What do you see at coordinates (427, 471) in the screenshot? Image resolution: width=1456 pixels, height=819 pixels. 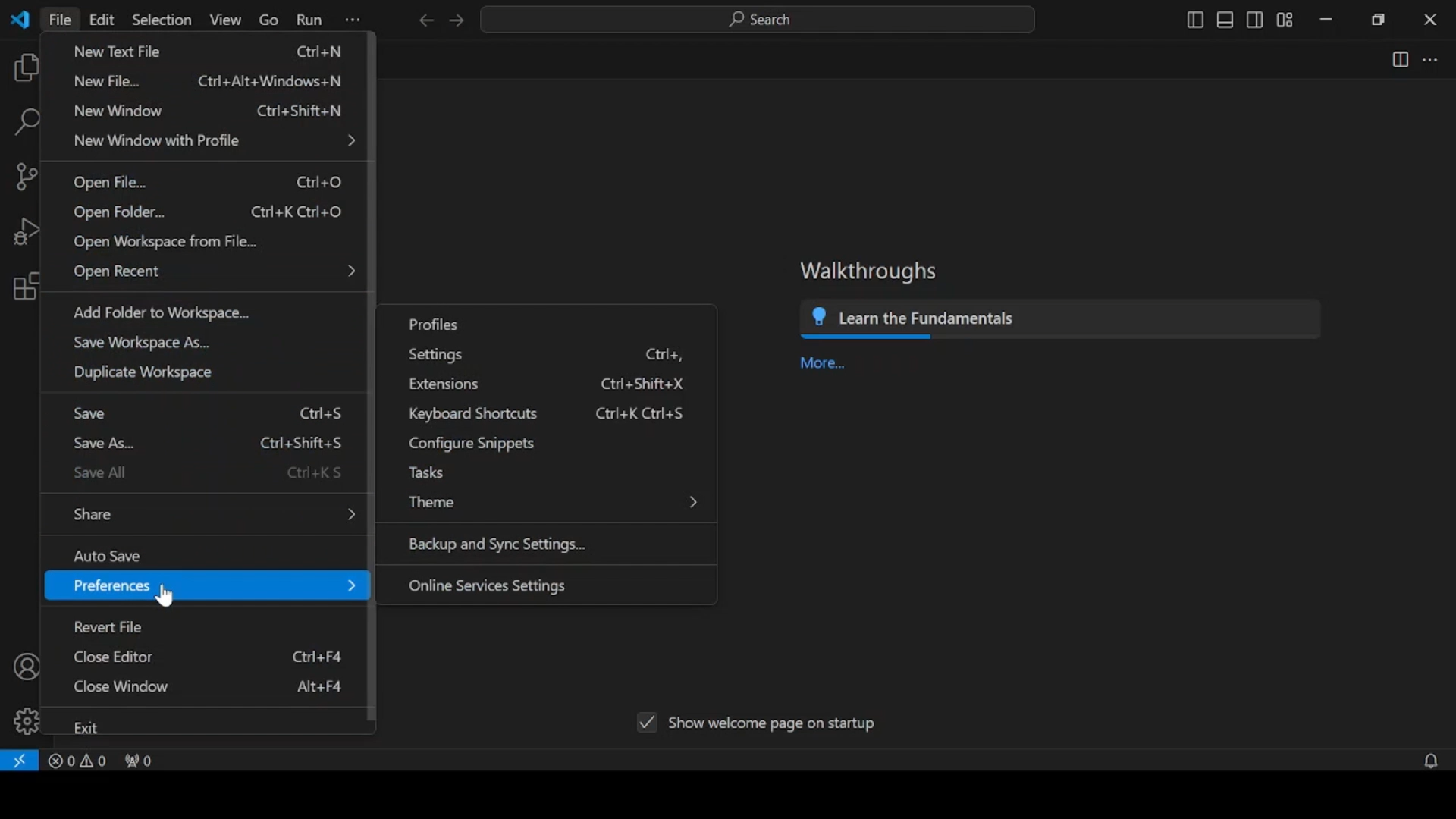 I see `tasks` at bounding box center [427, 471].